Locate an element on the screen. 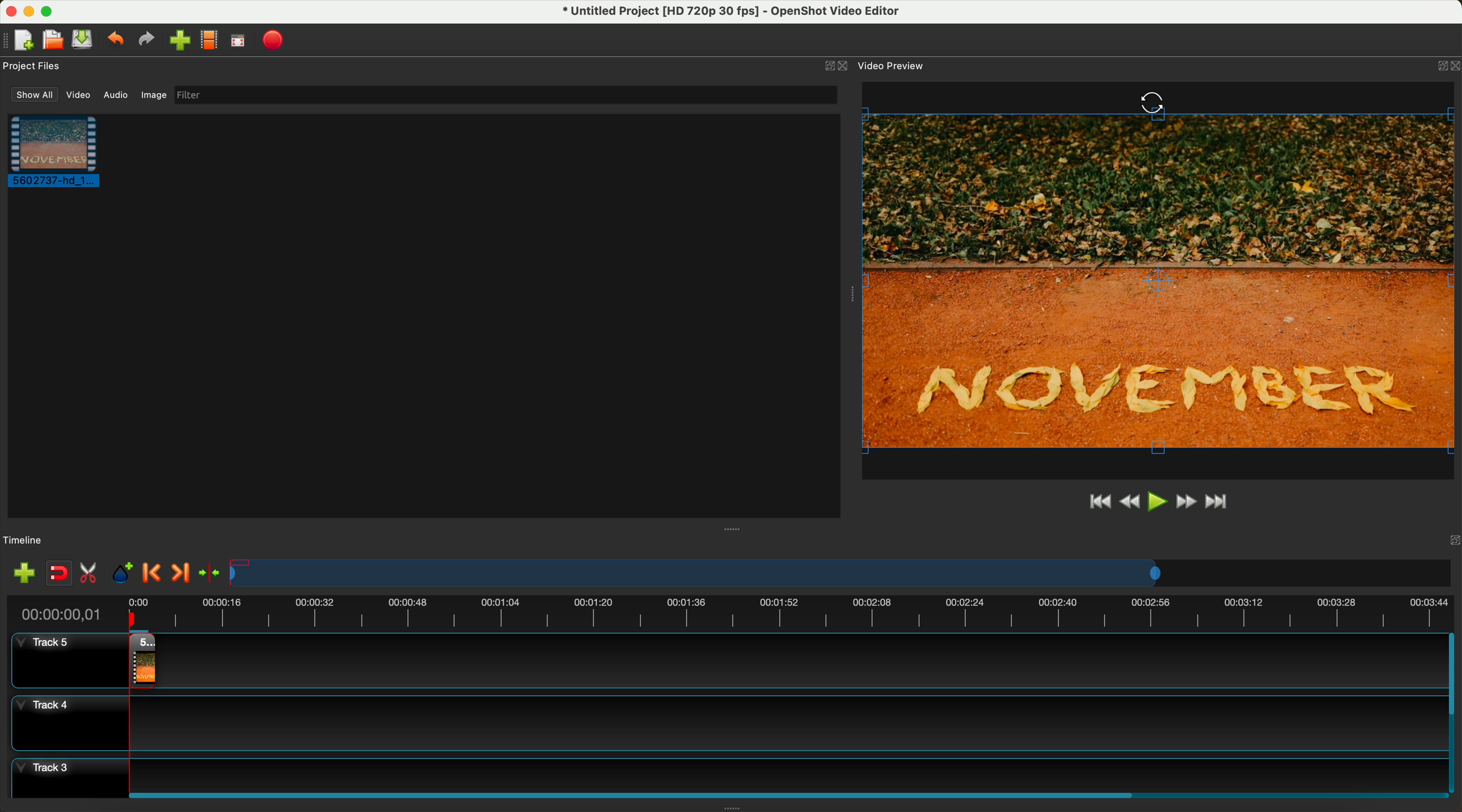 Image resolution: width=1462 pixels, height=812 pixels. add marker is located at coordinates (123, 574).